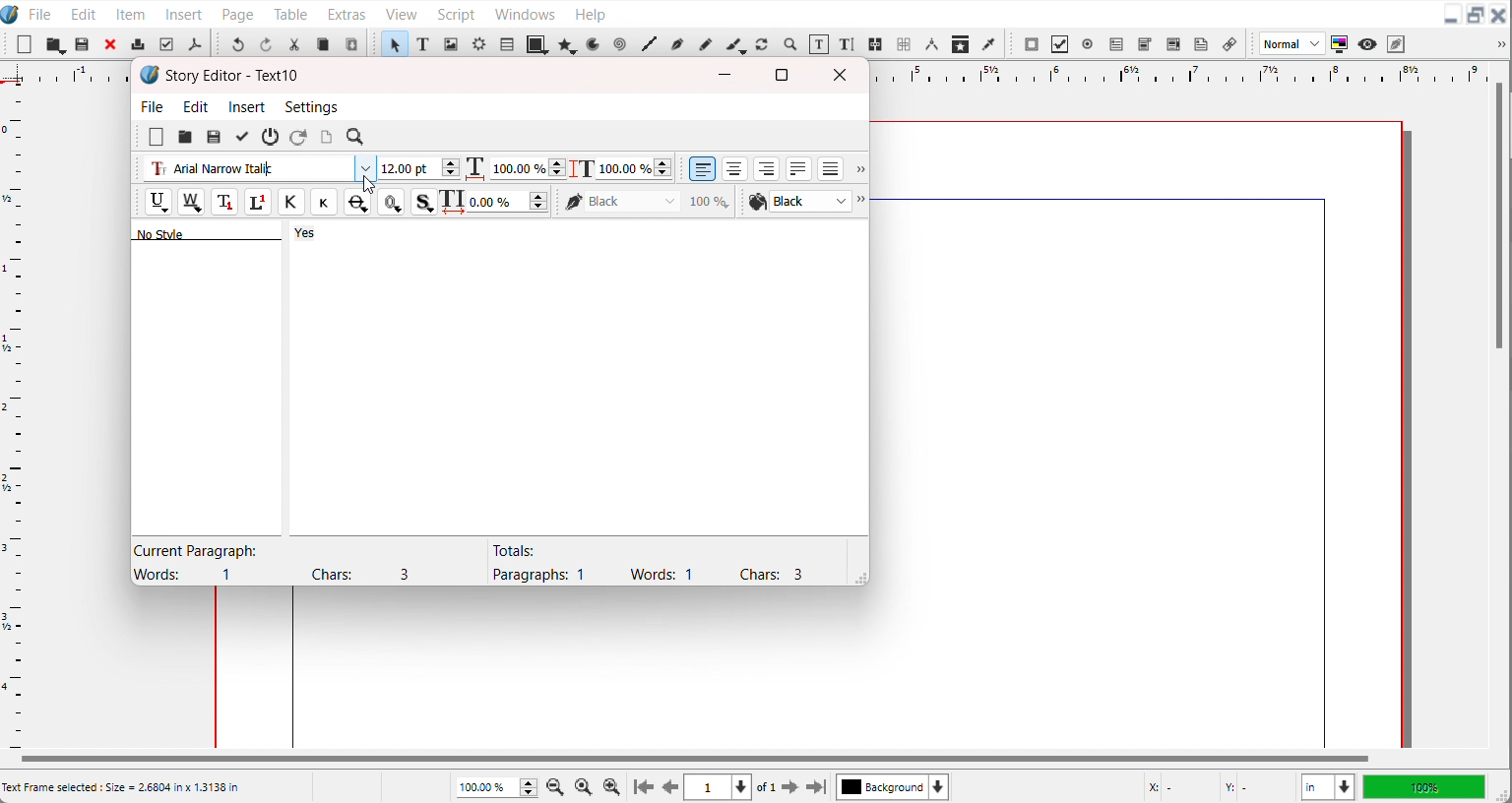 The height and width of the screenshot is (803, 1512). What do you see at coordinates (300, 137) in the screenshot?
I see `Reload from the text frame` at bounding box center [300, 137].